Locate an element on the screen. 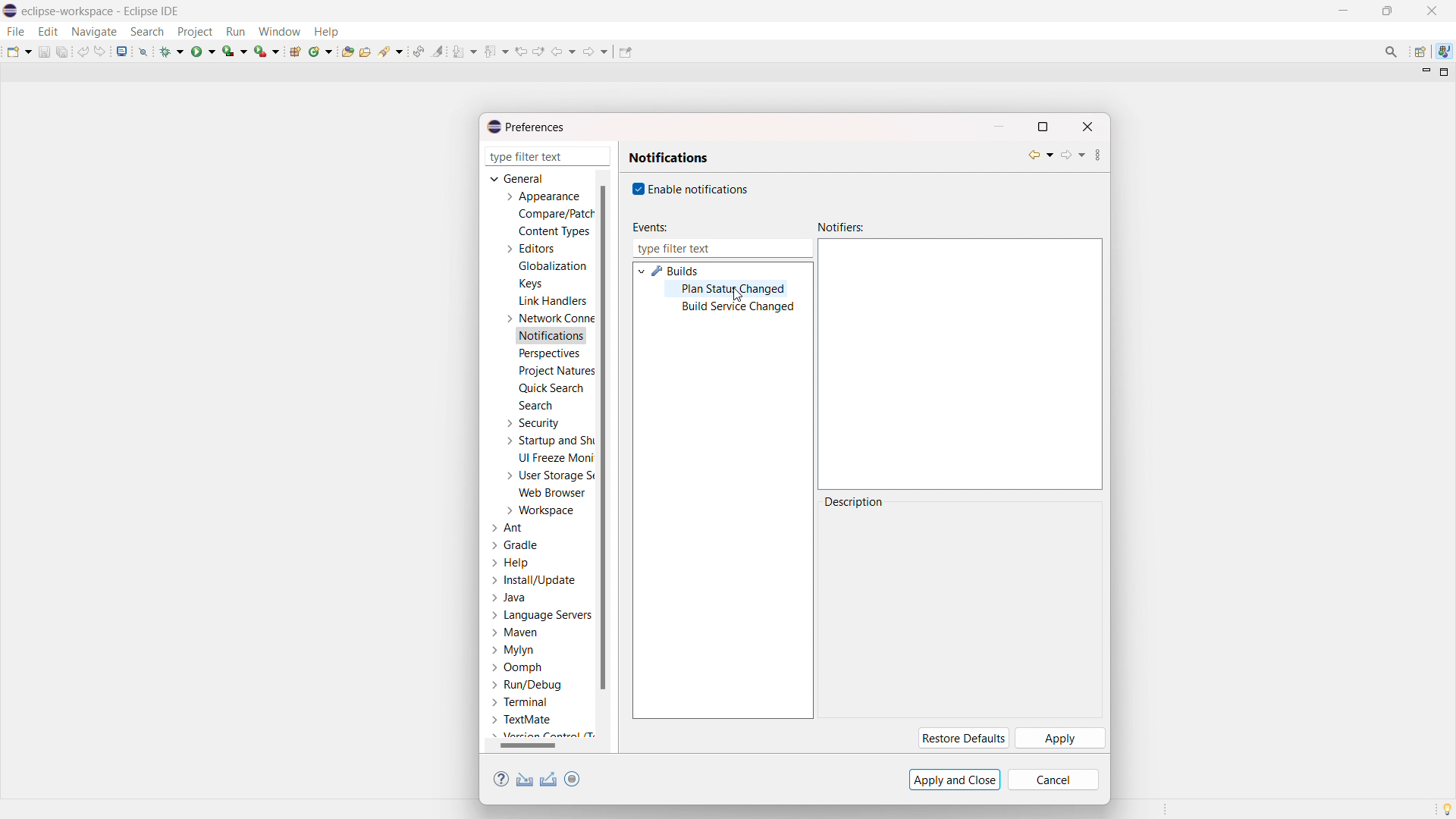 The width and height of the screenshot is (1456, 819). language servers is located at coordinates (541, 615).